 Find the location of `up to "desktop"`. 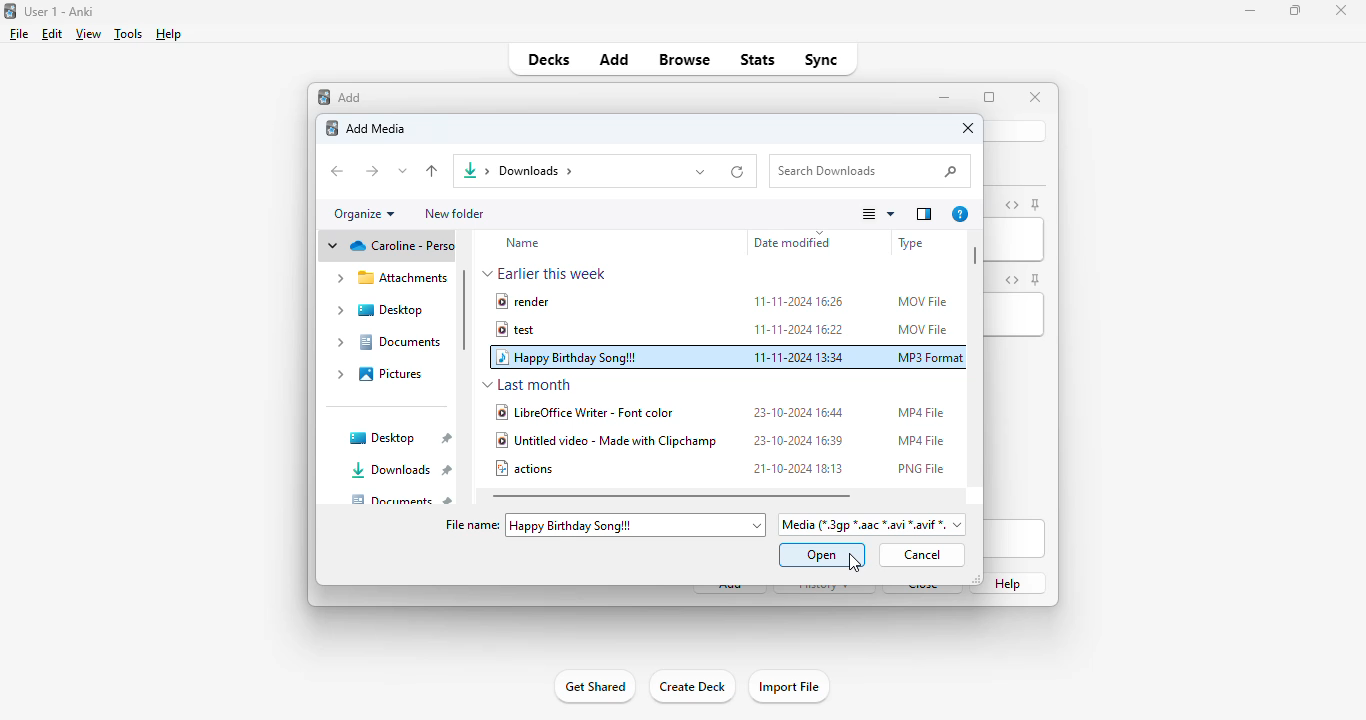

up to "desktop" is located at coordinates (432, 172).